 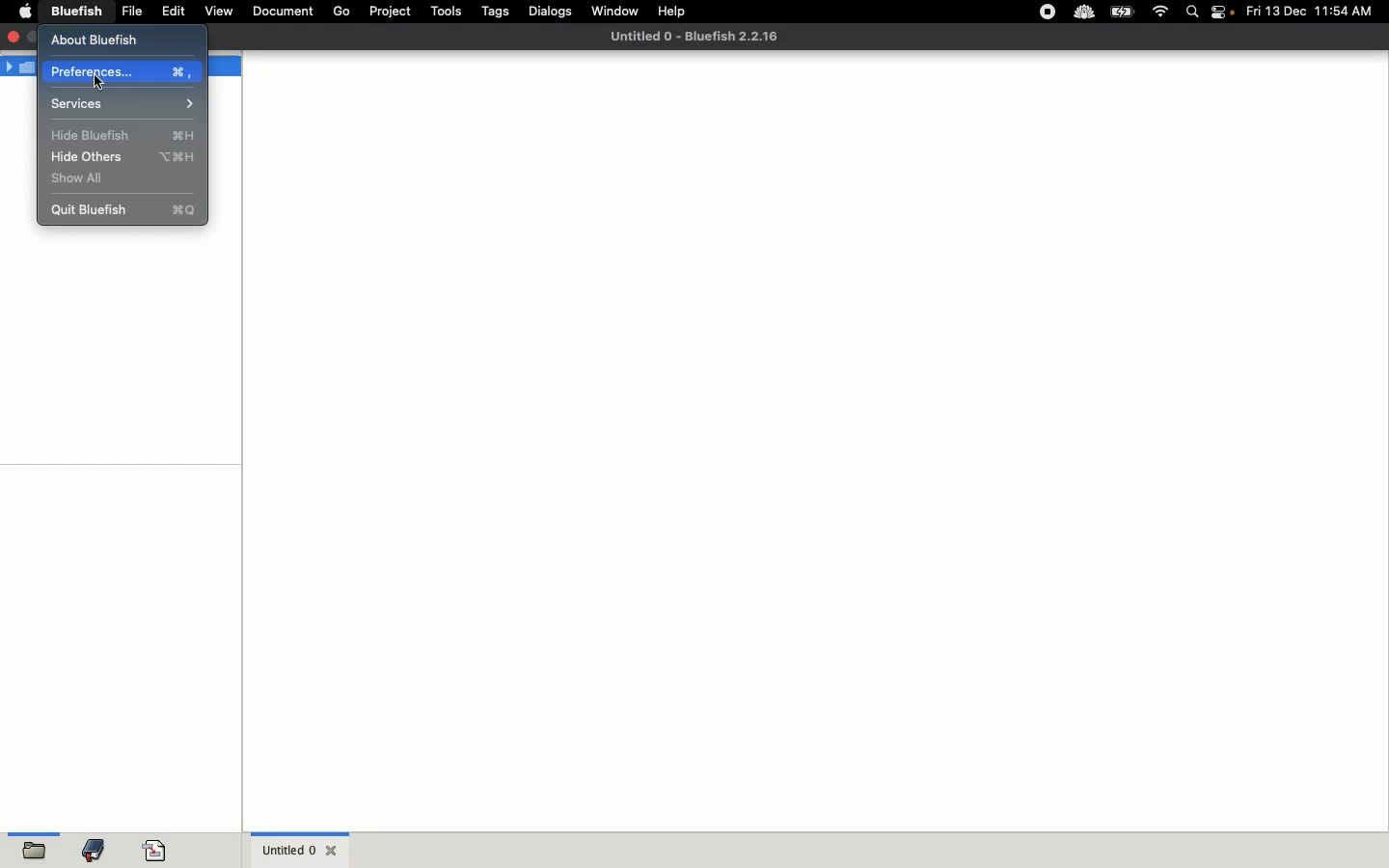 What do you see at coordinates (125, 156) in the screenshot?
I see `Hide others` at bounding box center [125, 156].